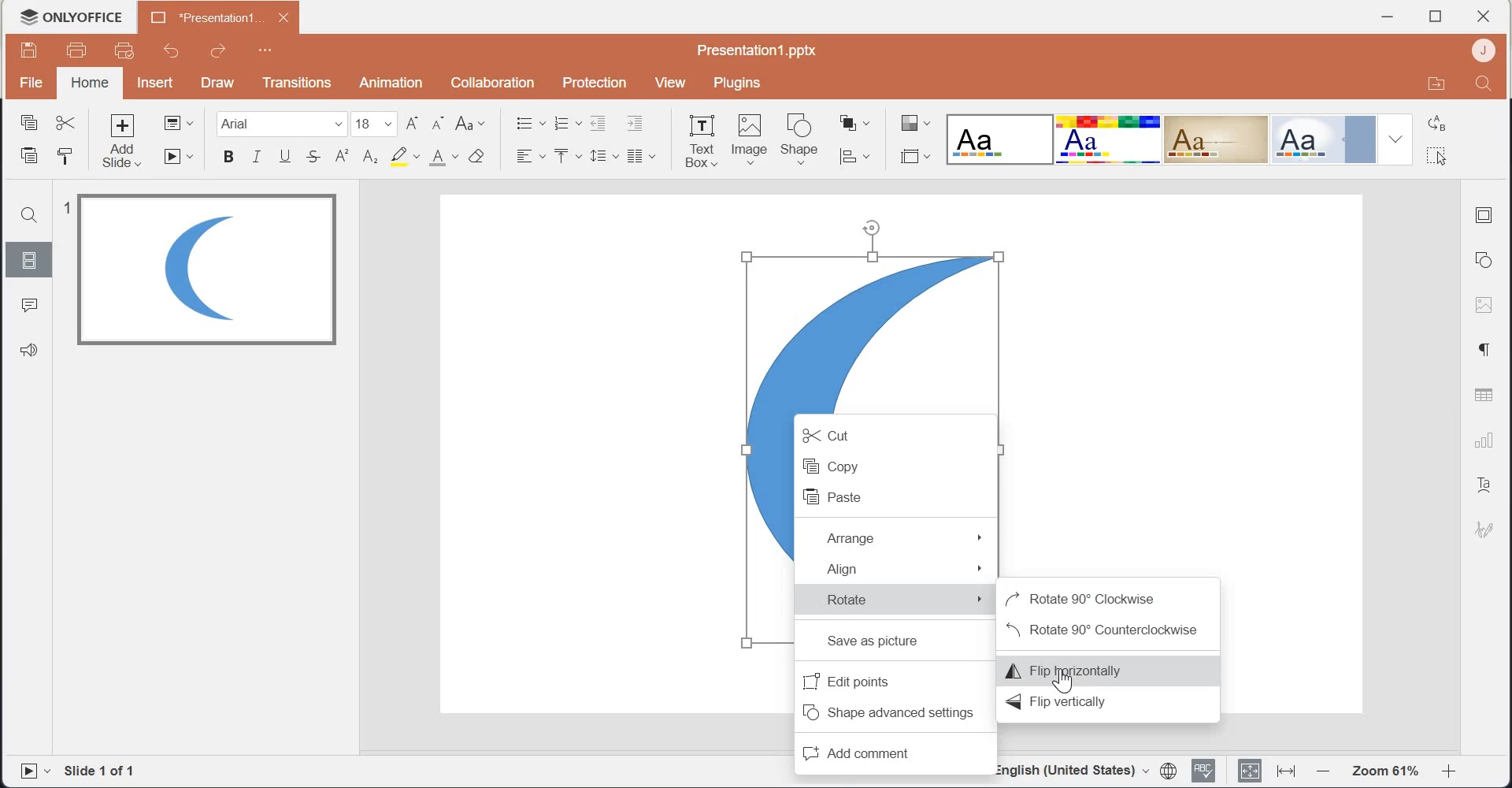  Describe the element at coordinates (28, 350) in the screenshot. I see `Feedback & Support` at that location.